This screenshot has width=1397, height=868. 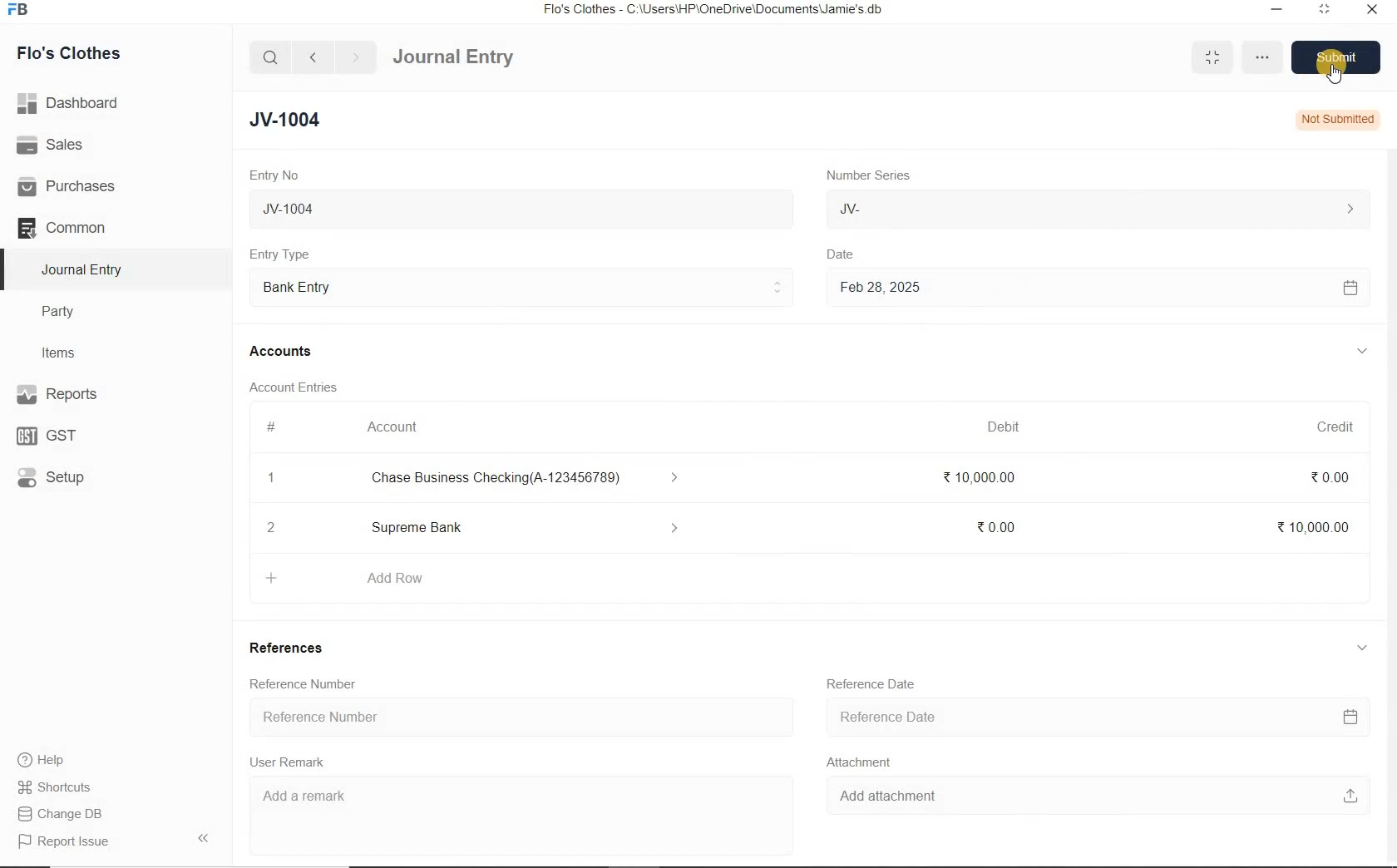 What do you see at coordinates (980, 481) in the screenshot?
I see `₹ 10,000.00` at bounding box center [980, 481].